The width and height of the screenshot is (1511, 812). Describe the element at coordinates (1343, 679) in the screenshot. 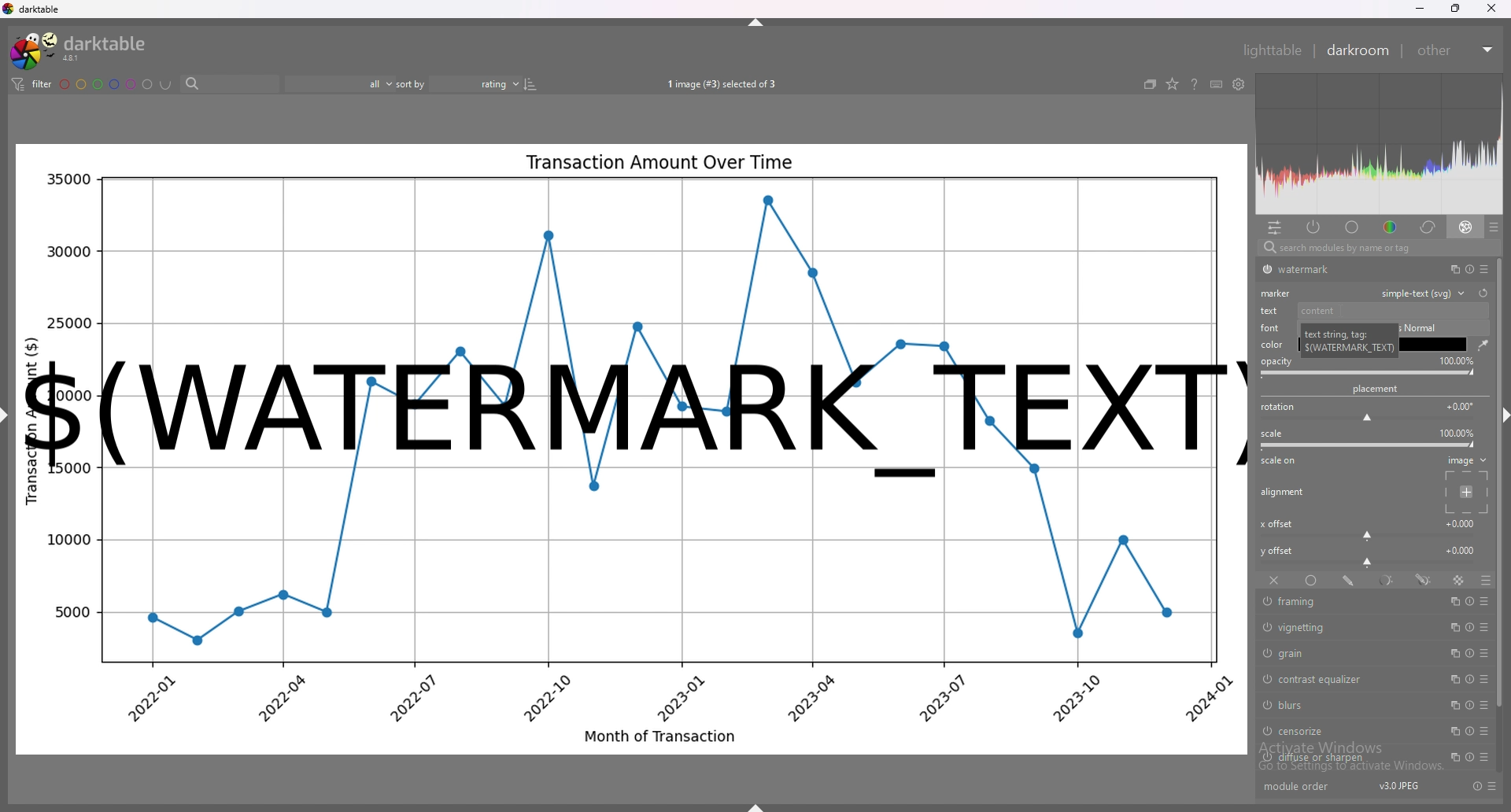

I see `contrast equalizer` at that location.